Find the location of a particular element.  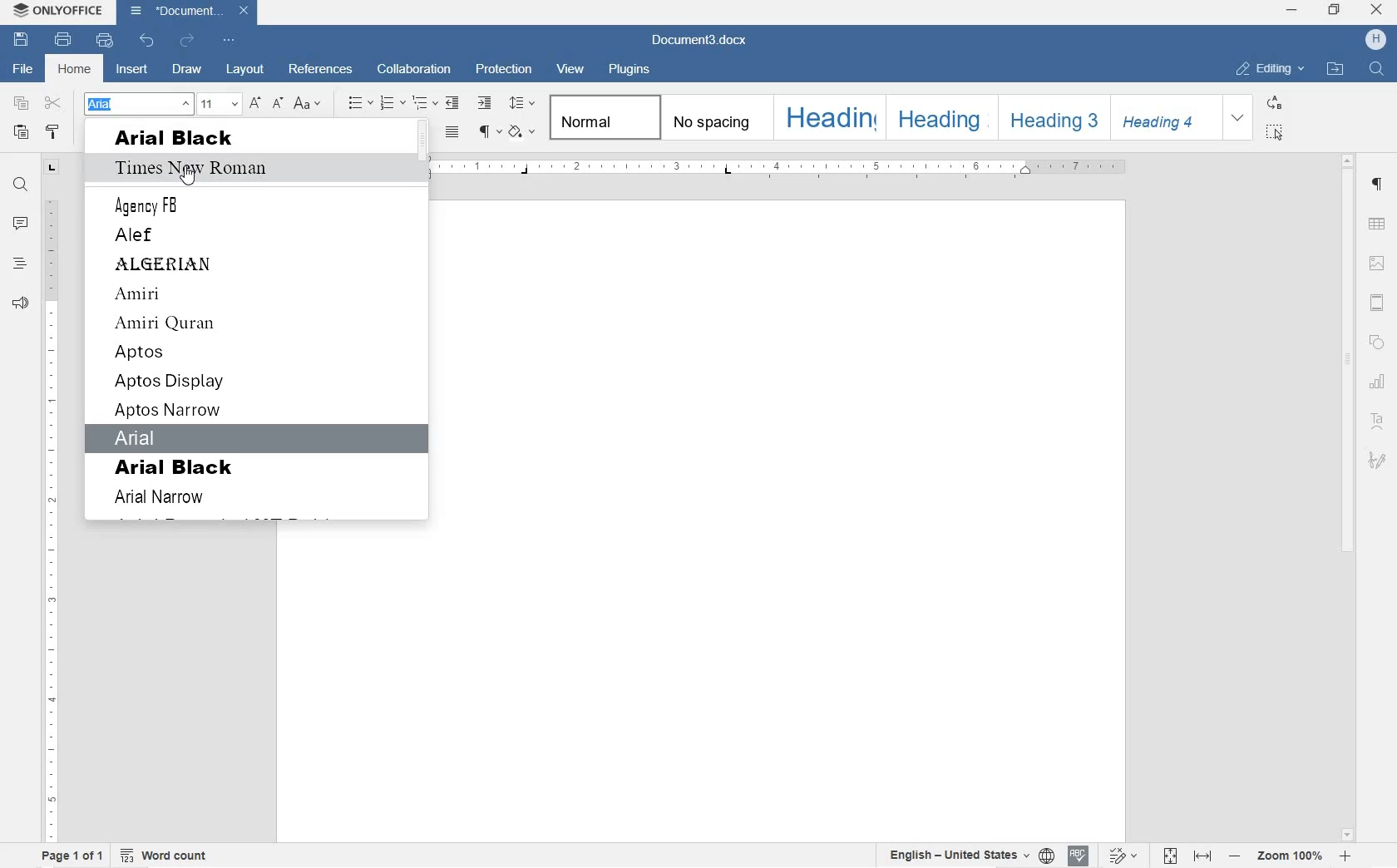

restore is located at coordinates (1336, 8).